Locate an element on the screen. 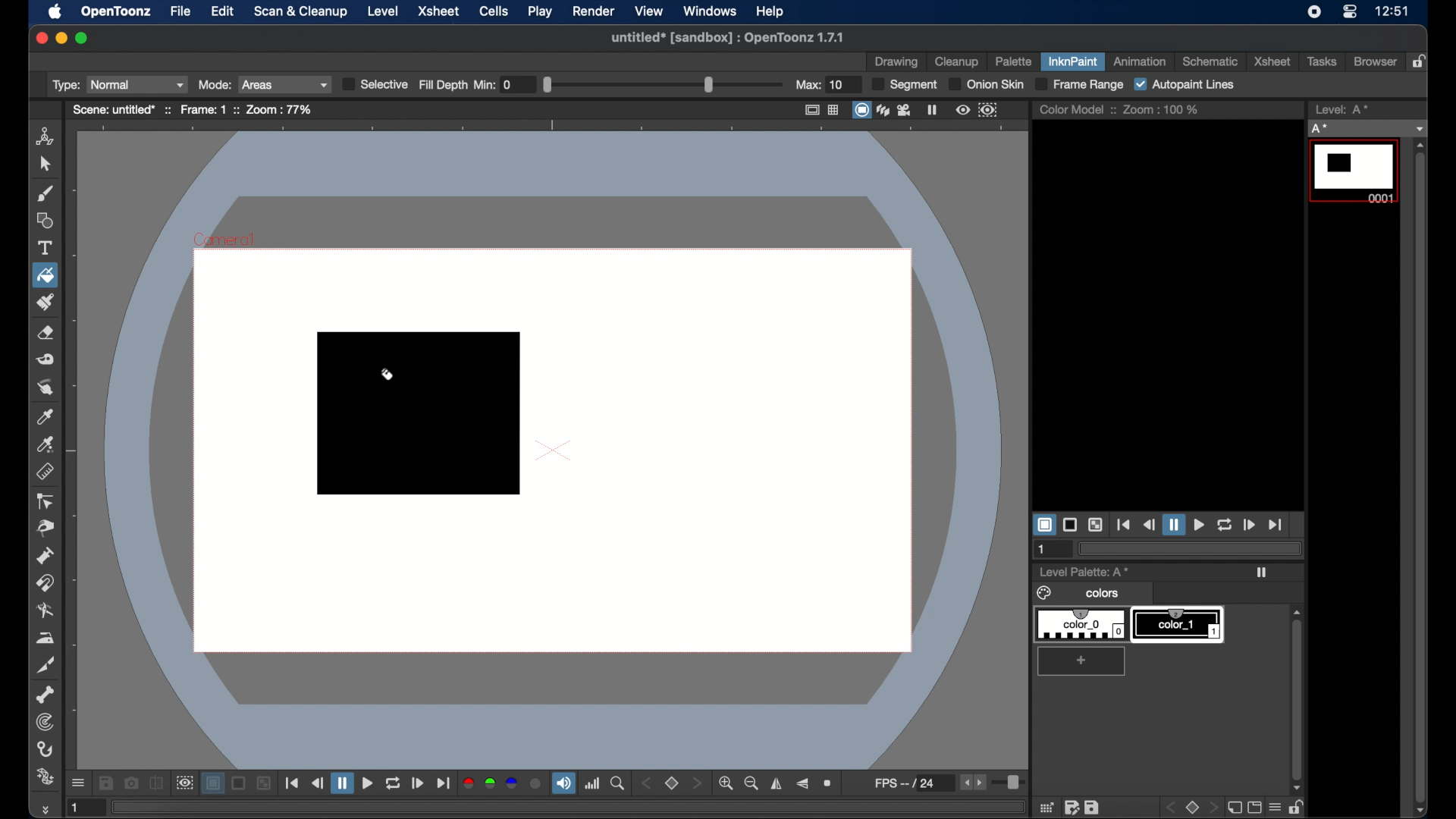  blender tool is located at coordinates (45, 612).